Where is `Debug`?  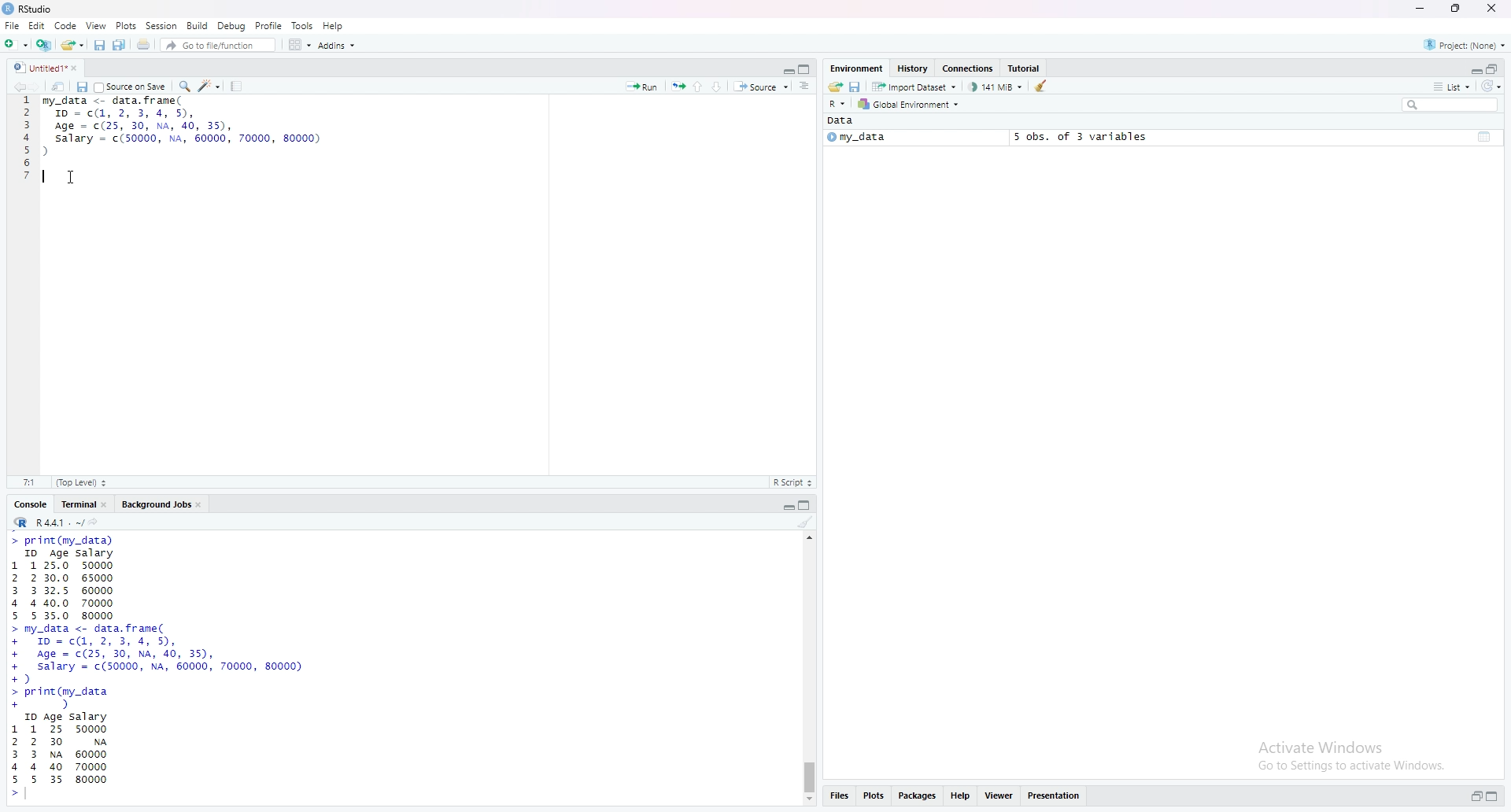 Debug is located at coordinates (233, 24).